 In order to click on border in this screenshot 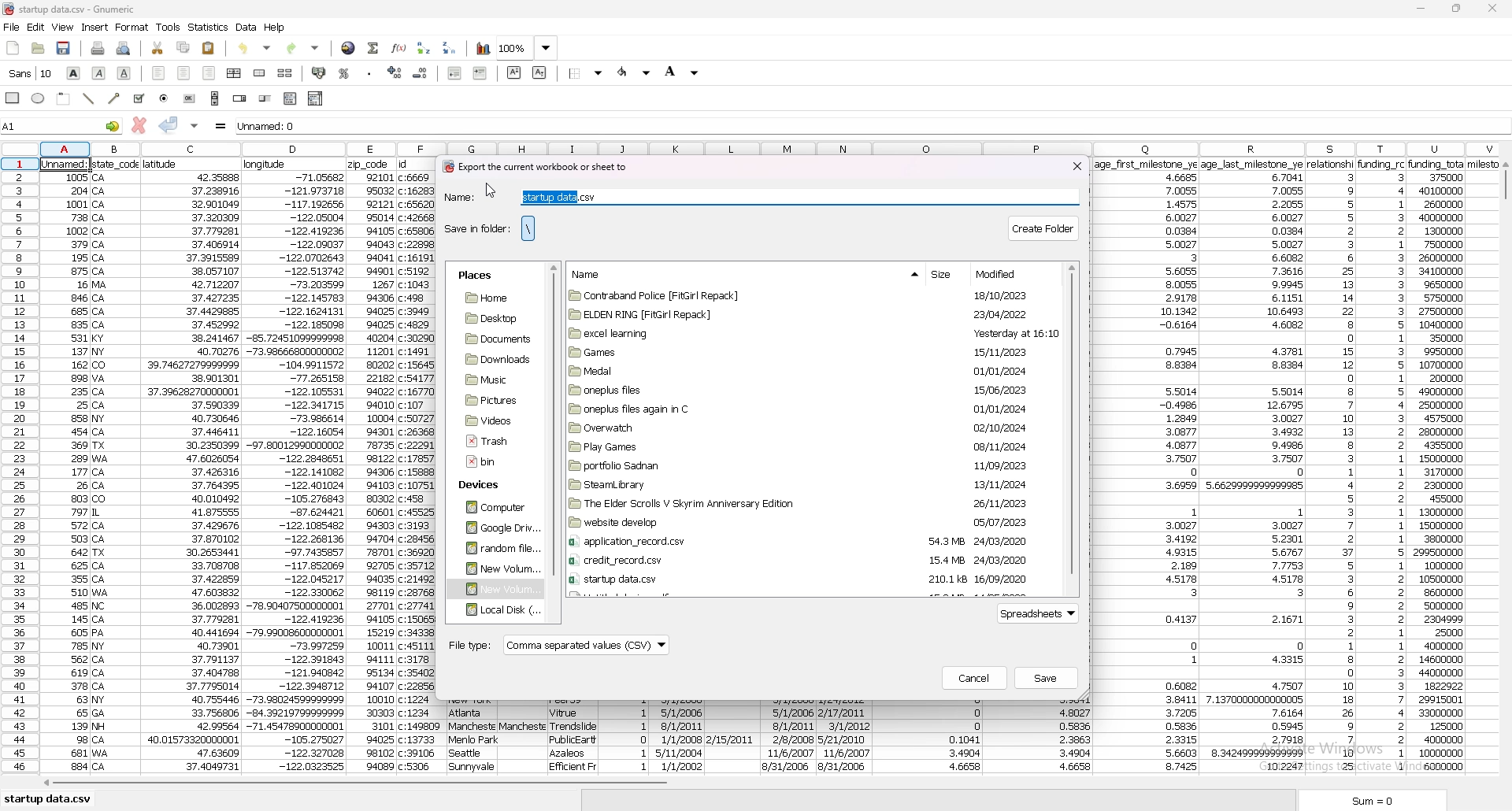, I will do `click(587, 72)`.